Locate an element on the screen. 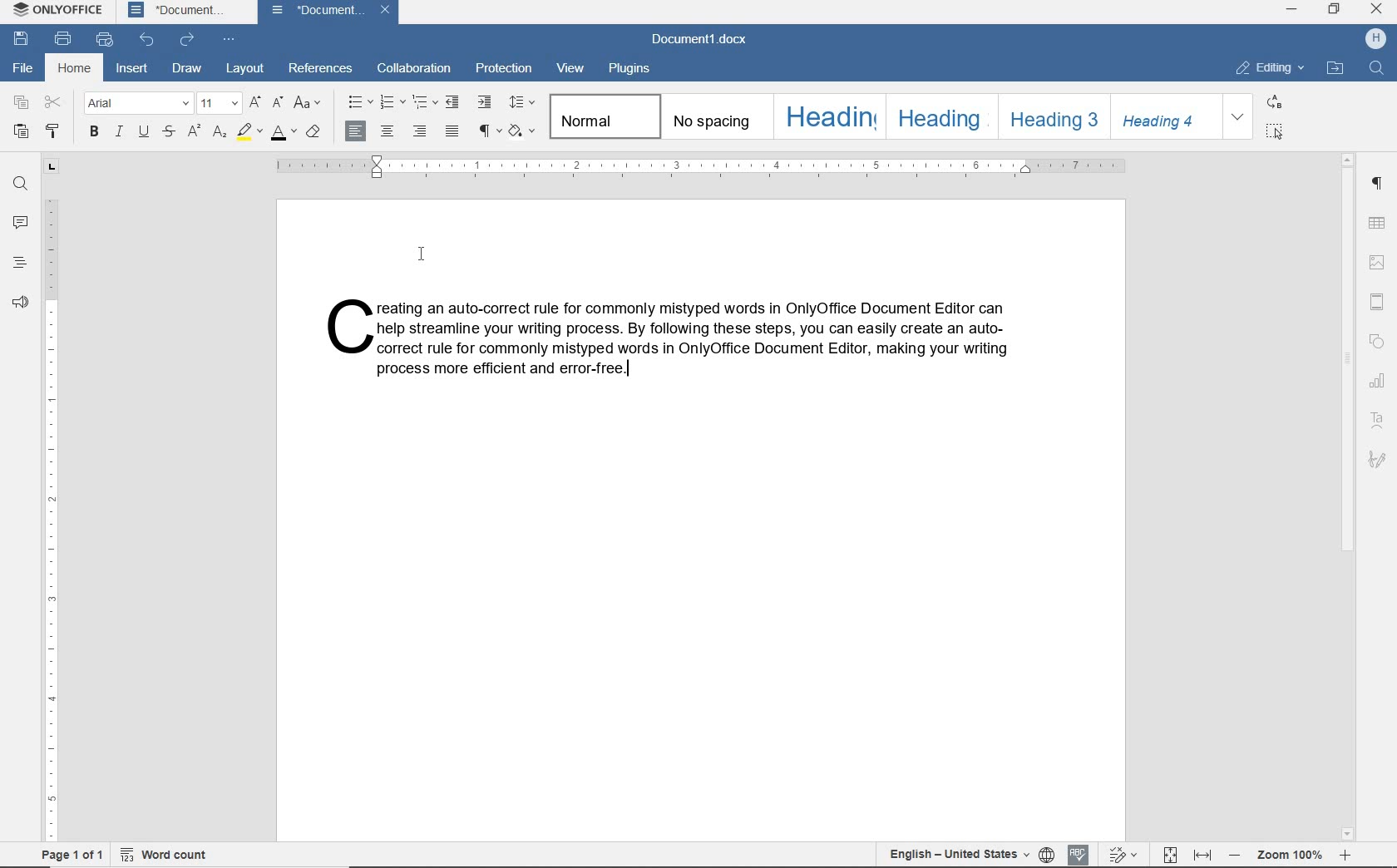 Image resolution: width=1397 pixels, height=868 pixels. SHAPE is located at coordinates (1378, 343).